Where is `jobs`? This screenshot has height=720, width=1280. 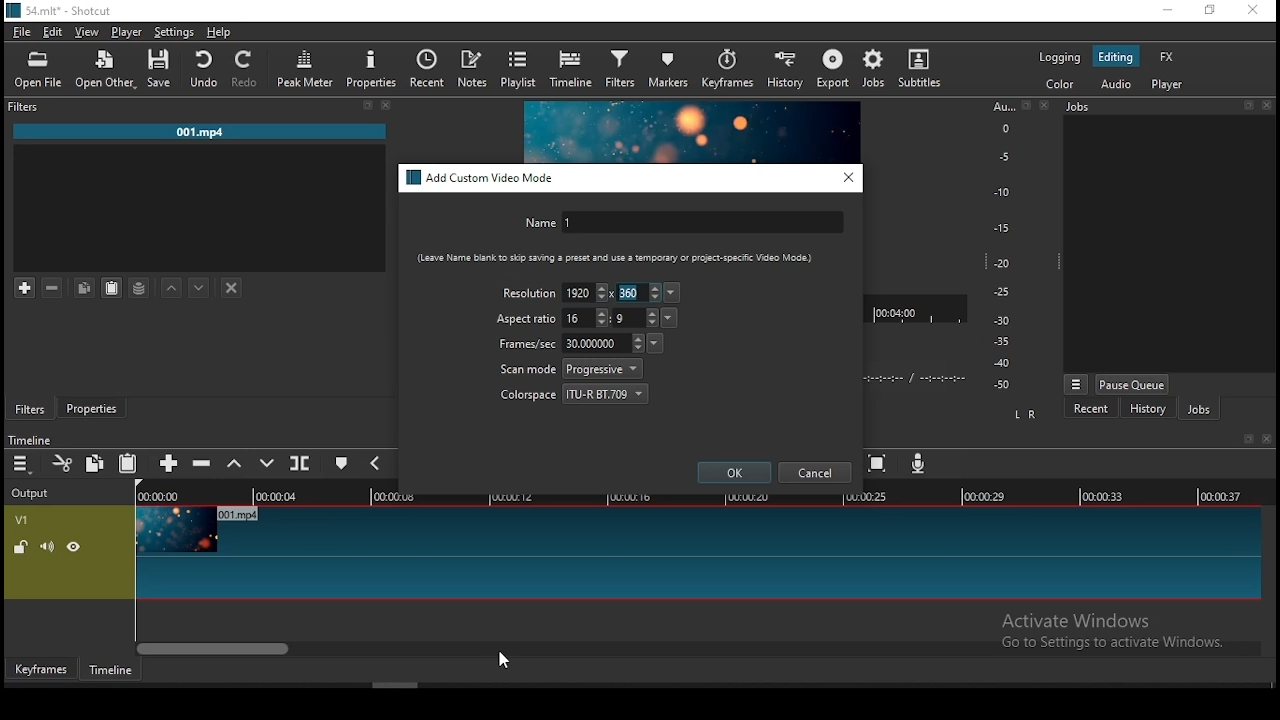
jobs is located at coordinates (1199, 410).